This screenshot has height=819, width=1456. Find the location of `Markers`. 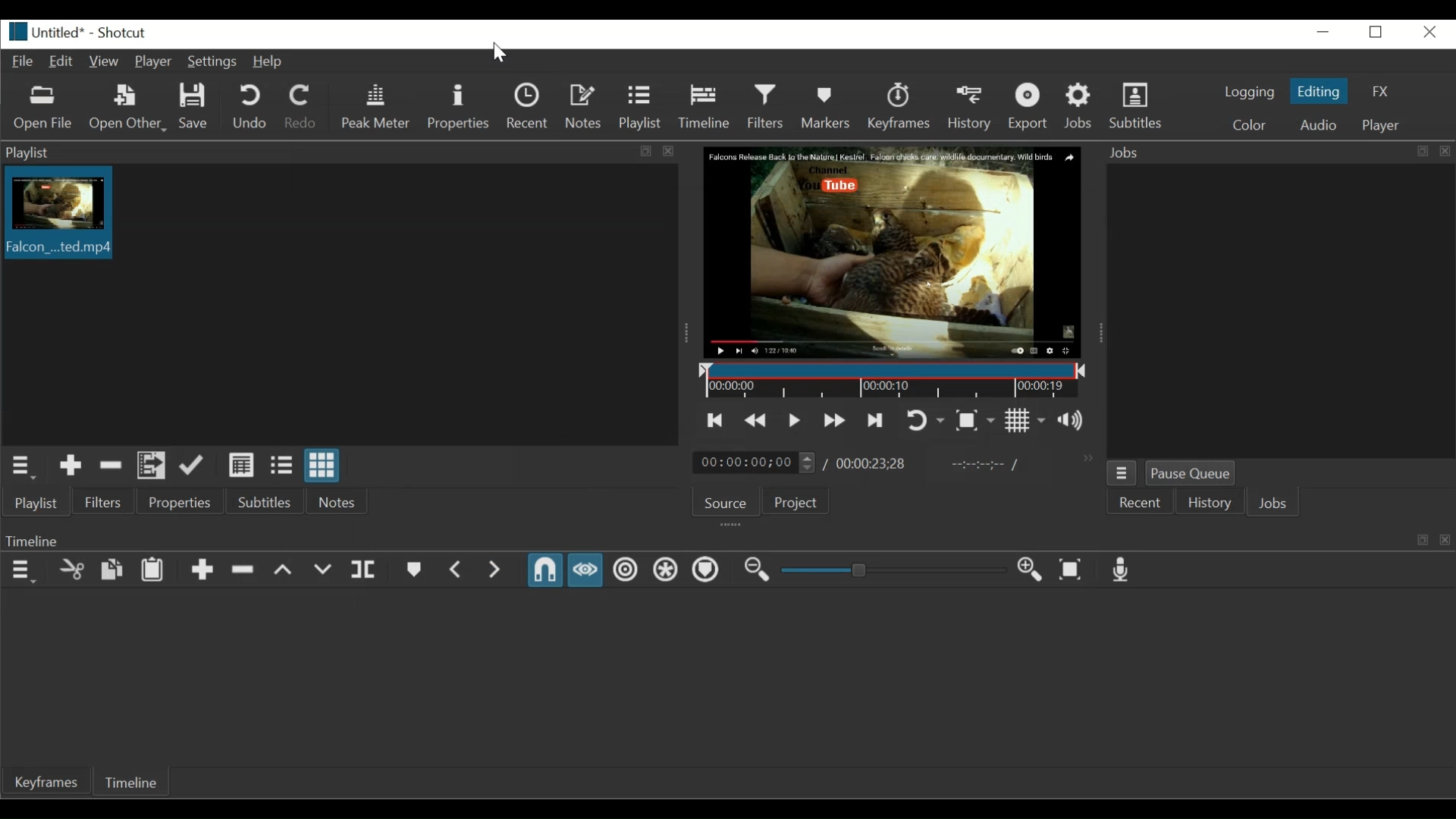

Markers is located at coordinates (825, 107).